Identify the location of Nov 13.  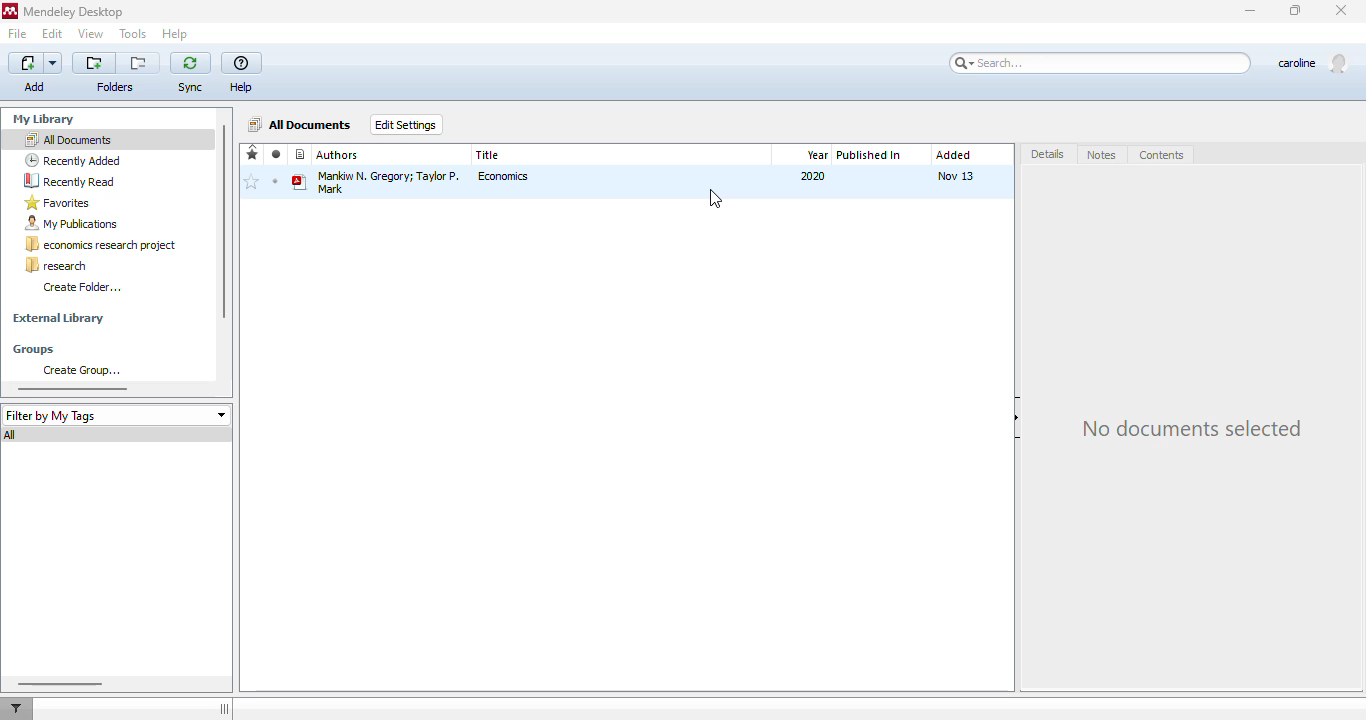
(956, 174).